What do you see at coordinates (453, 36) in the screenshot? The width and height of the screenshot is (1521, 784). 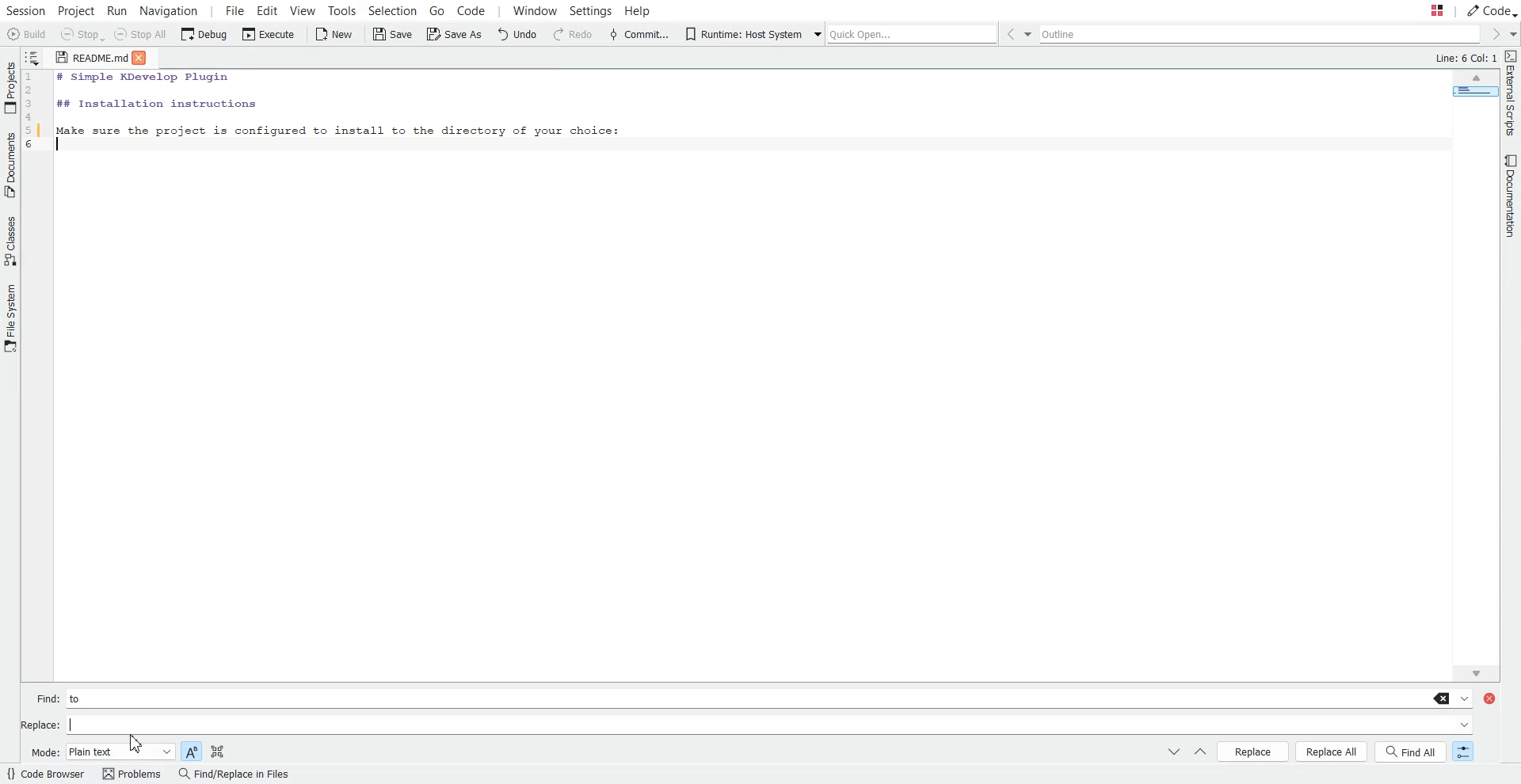 I see `Save as` at bounding box center [453, 36].